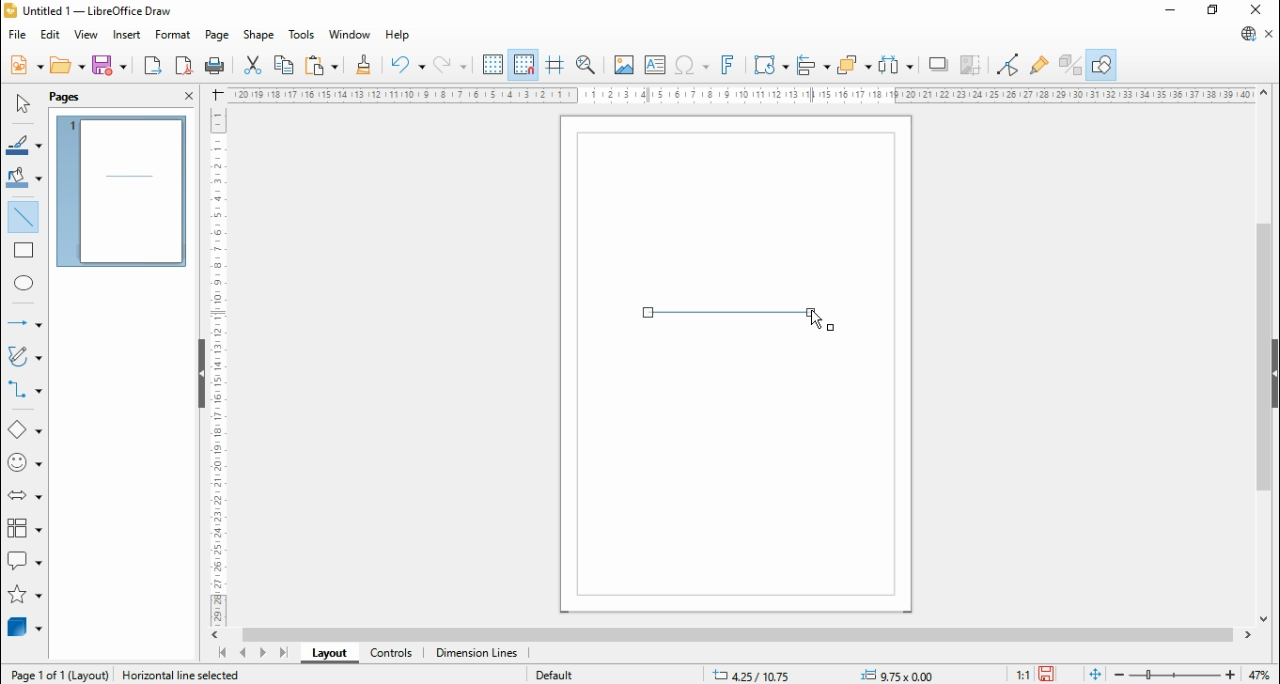 This screenshot has height=684, width=1280. I want to click on 3D objects, so click(25, 627).